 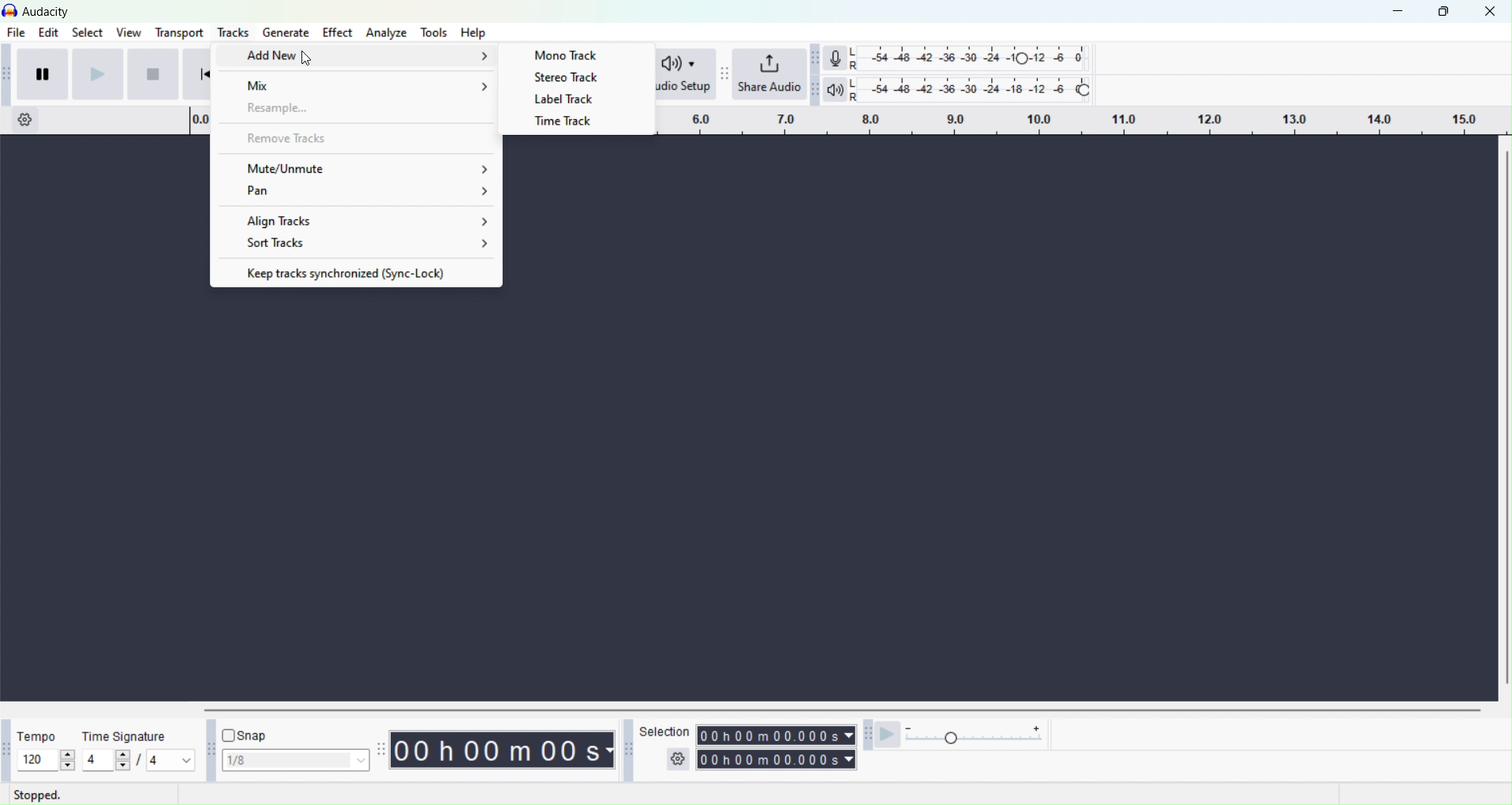 I want to click on Sort tracks, so click(x=356, y=245).